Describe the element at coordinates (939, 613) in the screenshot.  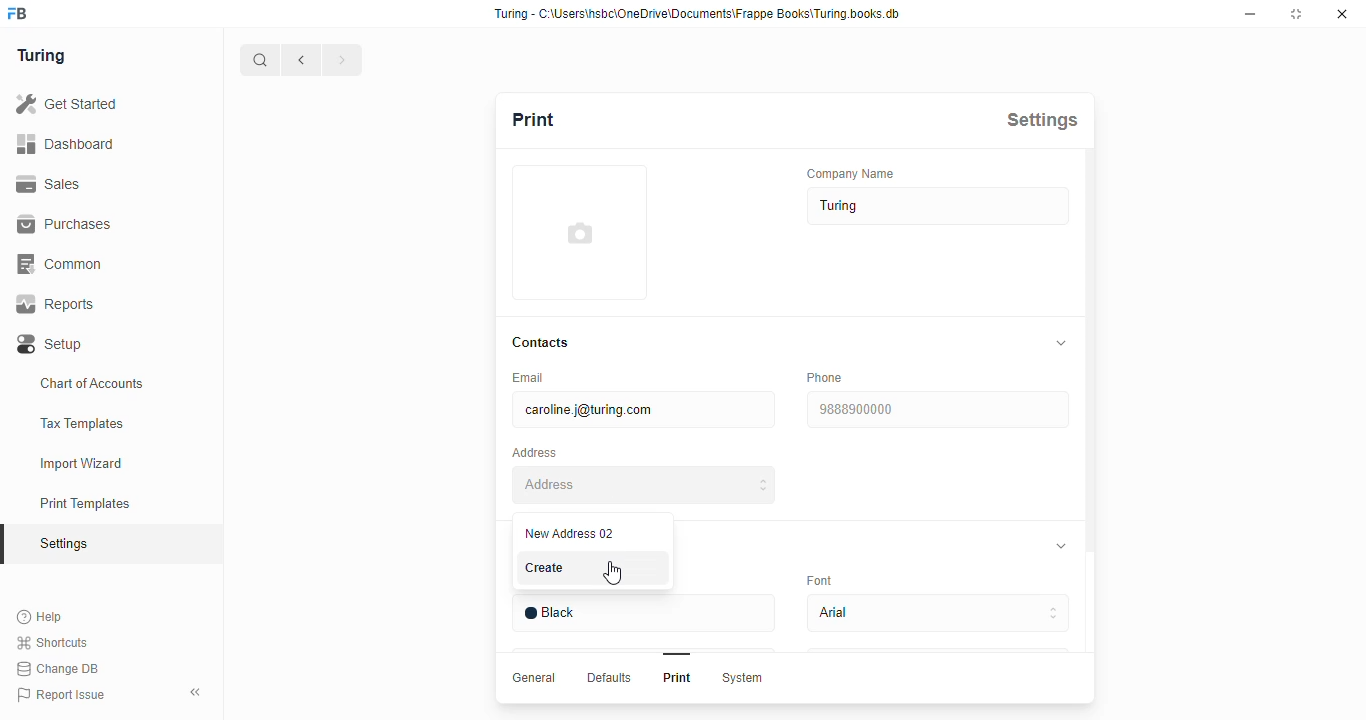
I see `arial` at that location.